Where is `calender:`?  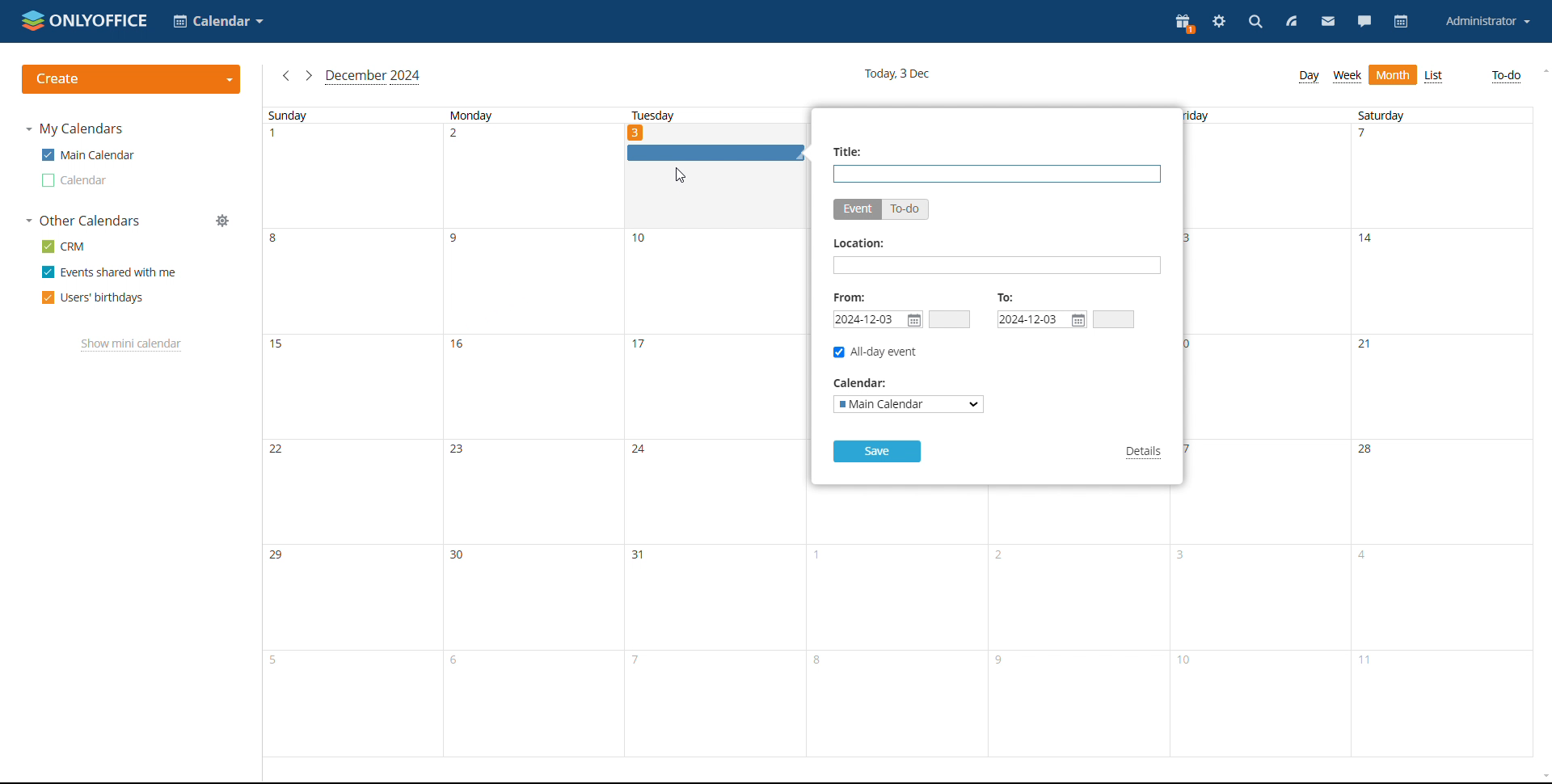 calender: is located at coordinates (866, 385).